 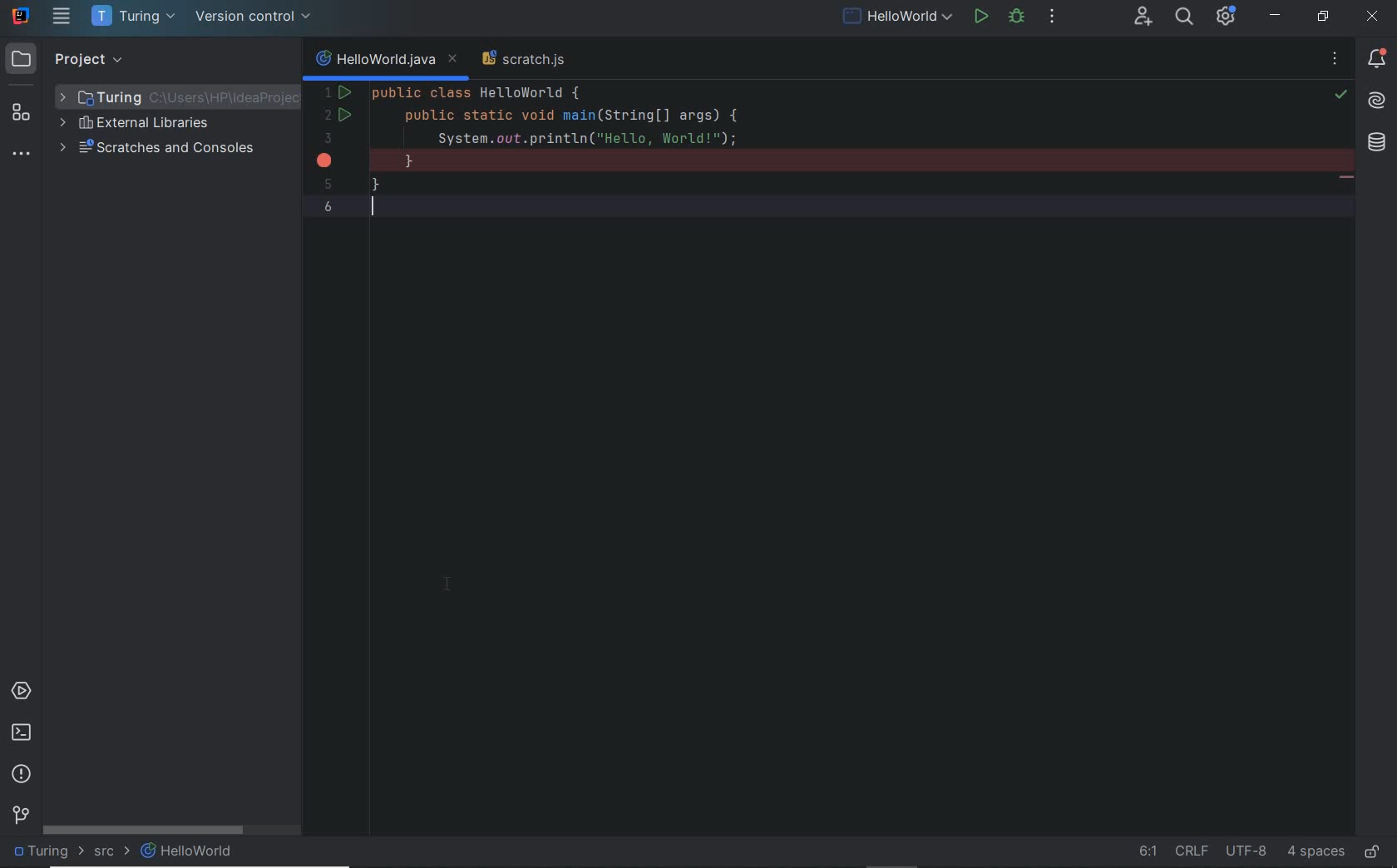 What do you see at coordinates (1195, 850) in the screenshot?
I see `line separator` at bounding box center [1195, 850].